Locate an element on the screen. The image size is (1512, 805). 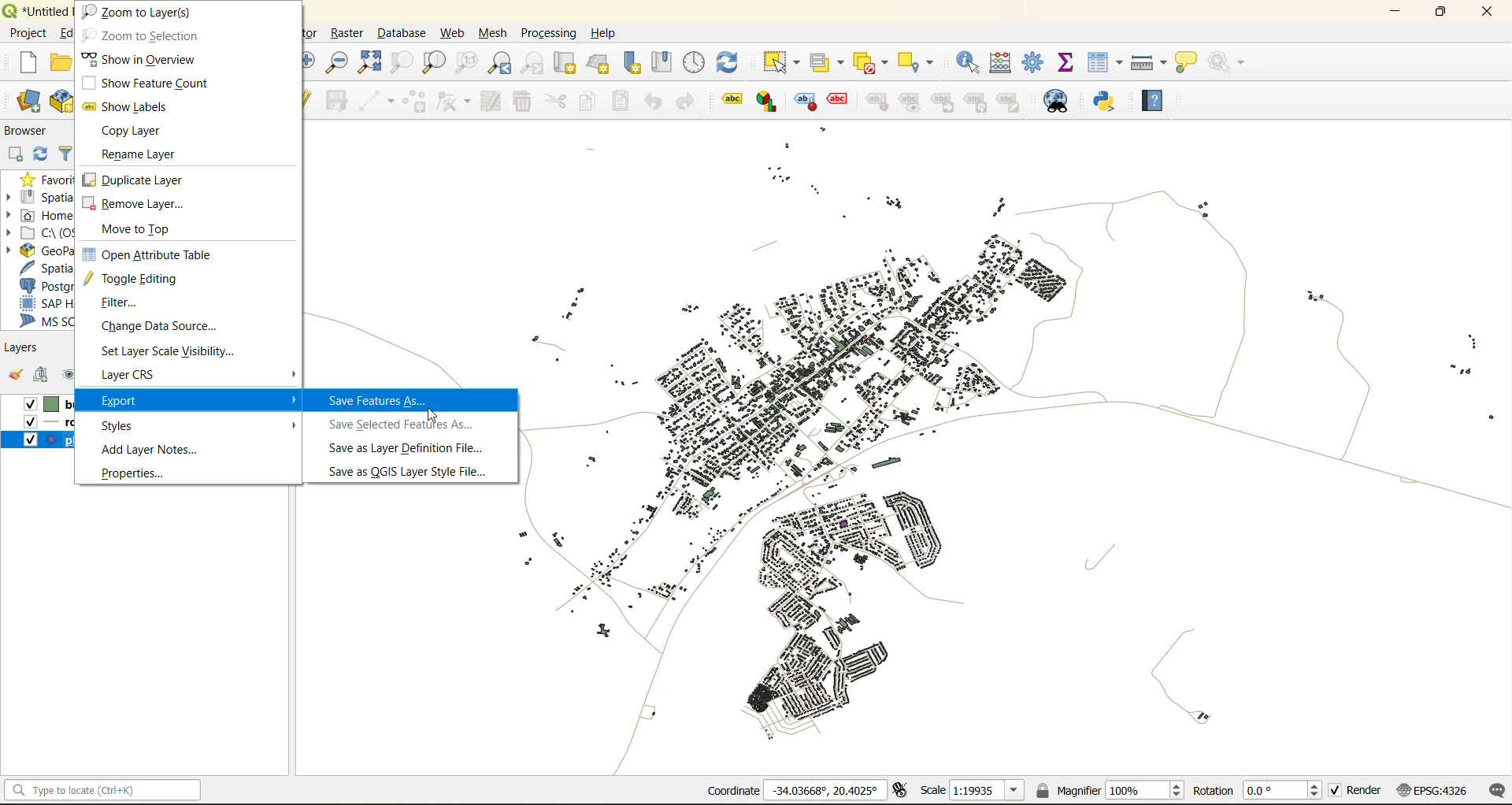
remove layer is located at coordinates (134, 206).